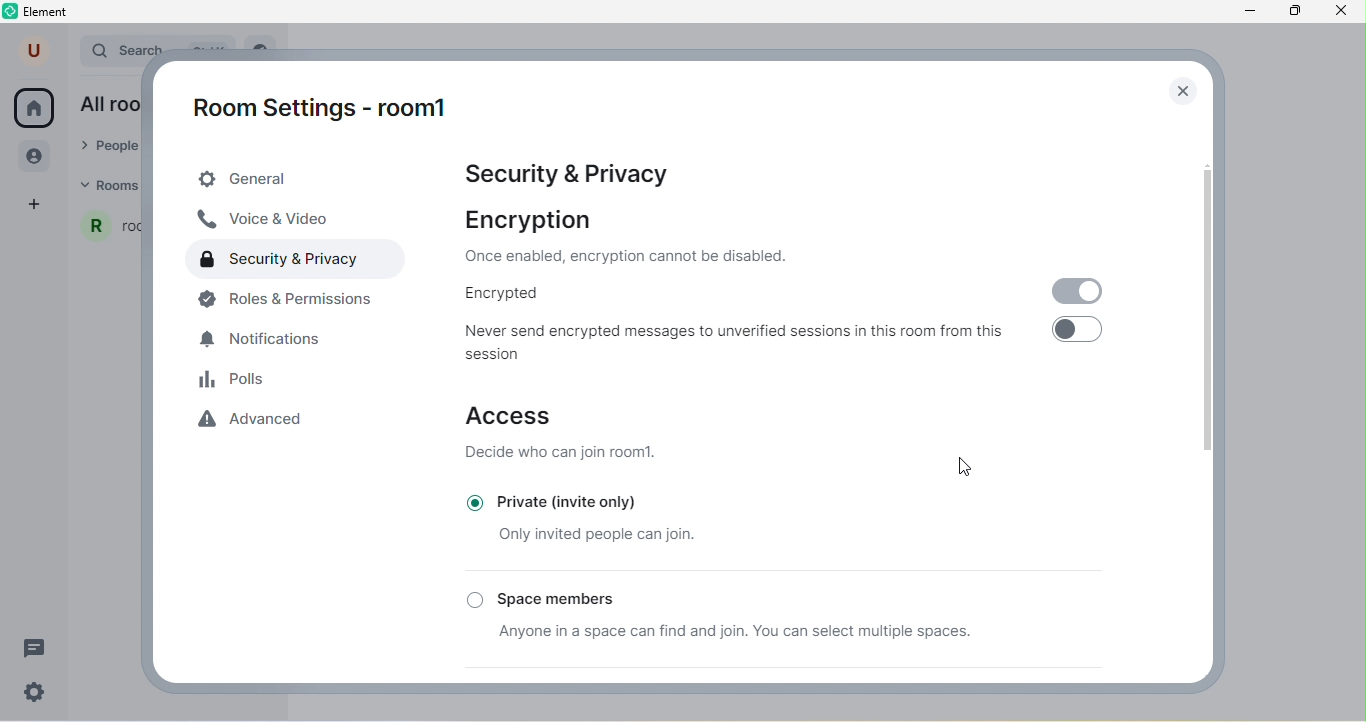 The height and width of the screenshot is (722, 1366). I want to click on cursor, so click(957, 467).